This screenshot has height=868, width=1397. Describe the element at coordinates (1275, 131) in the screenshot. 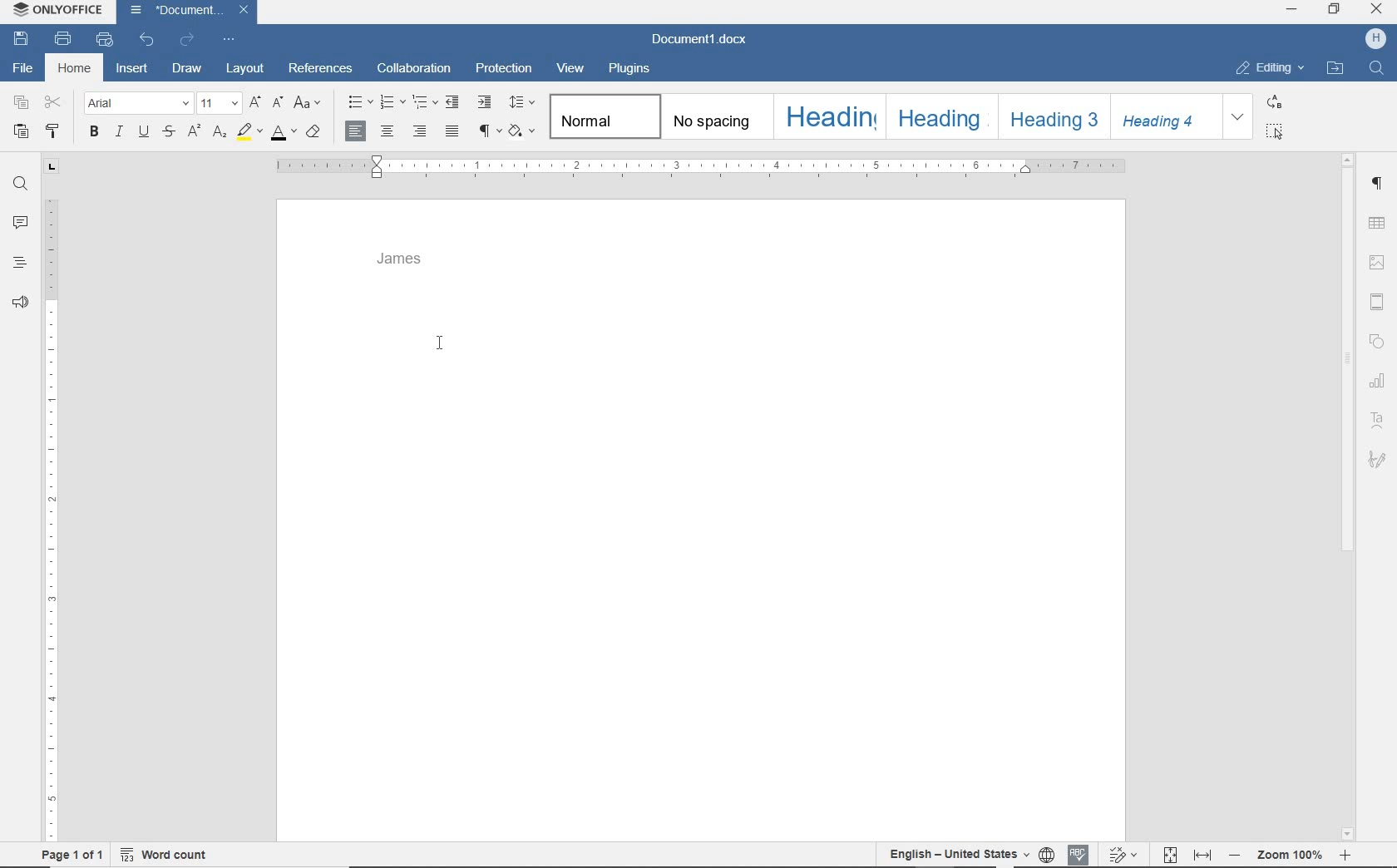

I see `SELECT ALL` at that location.